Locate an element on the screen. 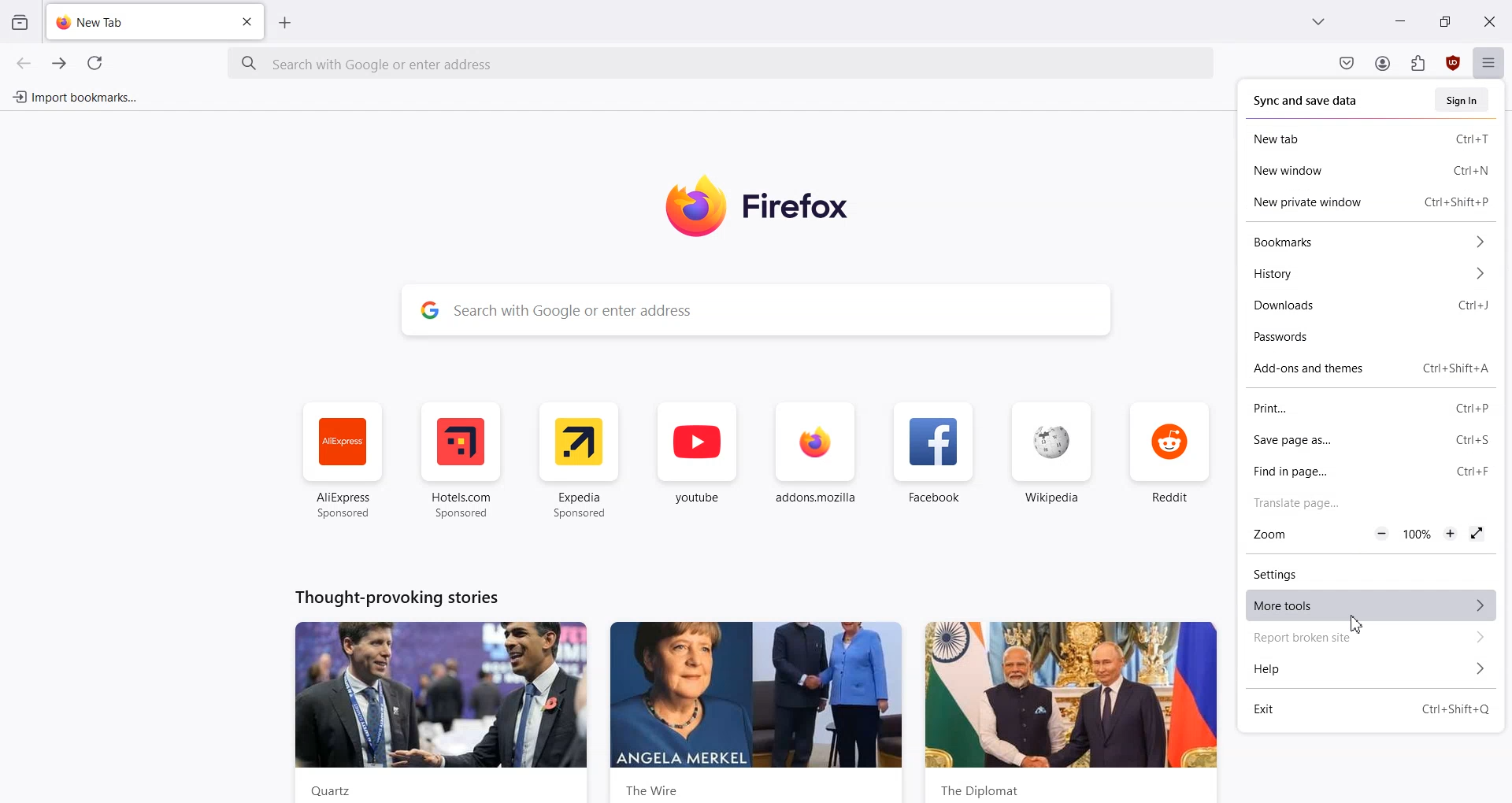 The image size is (1512, 803). Go Back one page  is located at coordinates (22, 62).